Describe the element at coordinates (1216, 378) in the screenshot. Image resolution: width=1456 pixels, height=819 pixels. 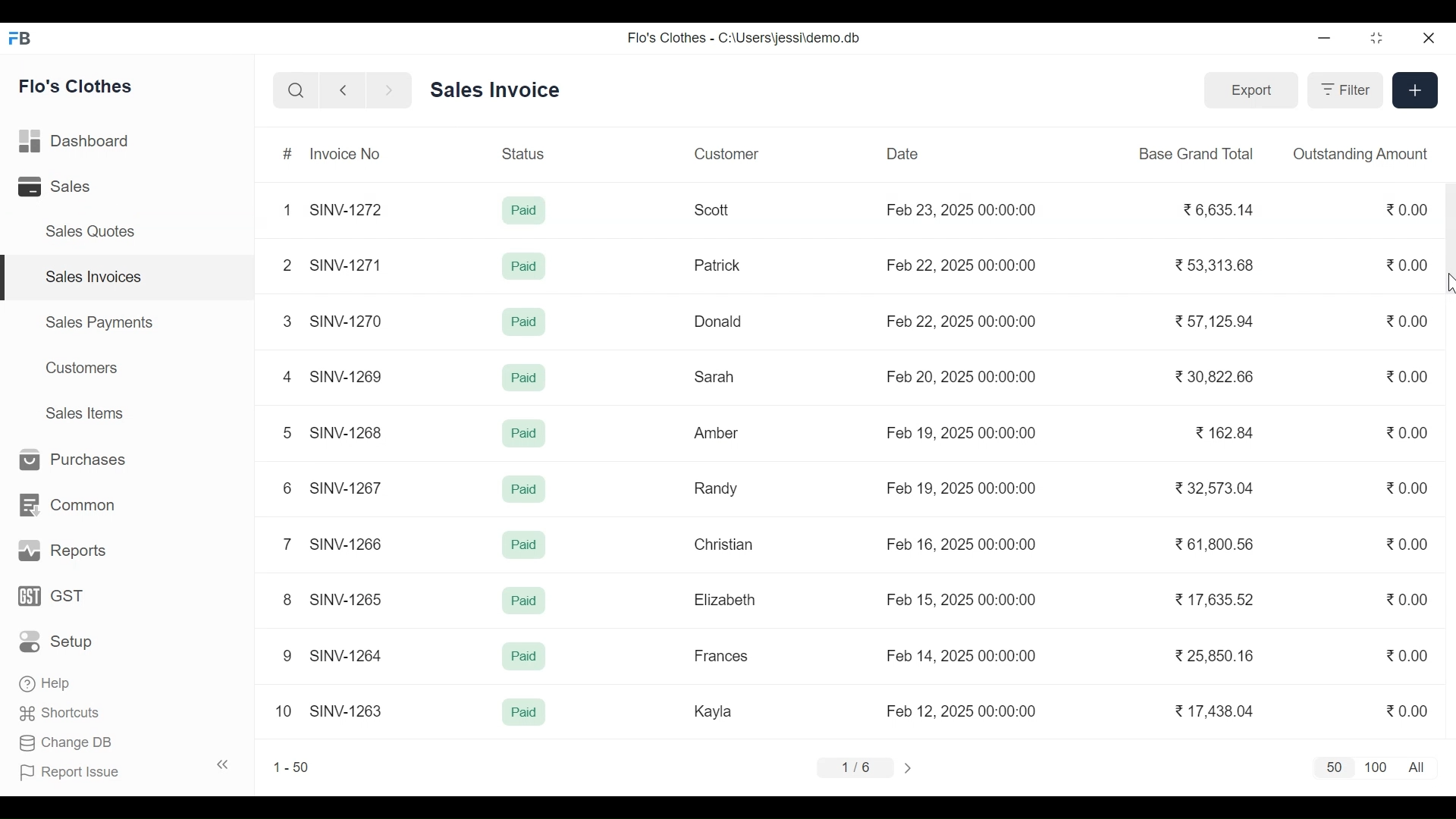
I see `30,822.66` at that location.